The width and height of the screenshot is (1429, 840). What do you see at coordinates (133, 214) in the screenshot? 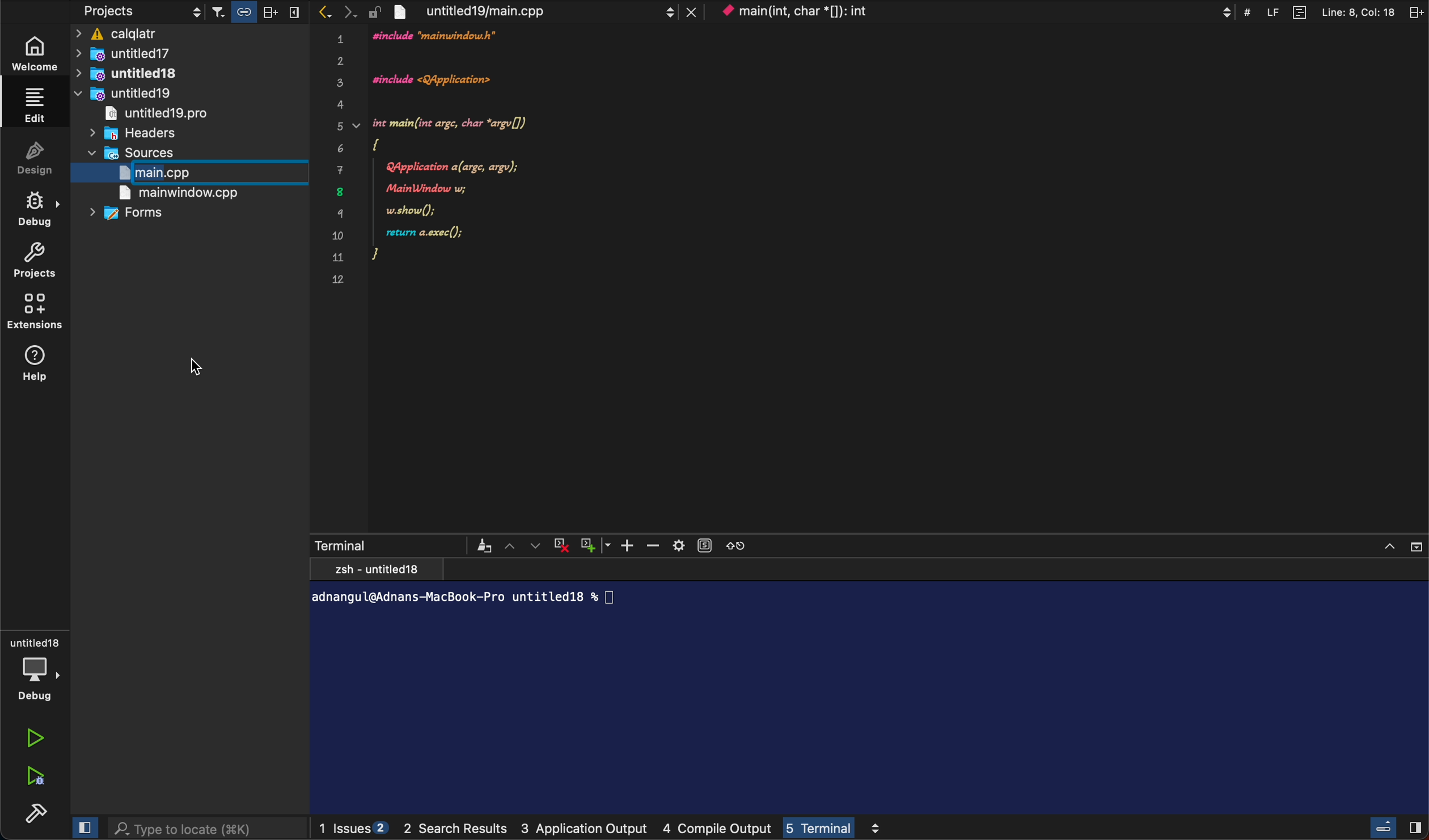
I see `forms` at bounding box center [133, 214].